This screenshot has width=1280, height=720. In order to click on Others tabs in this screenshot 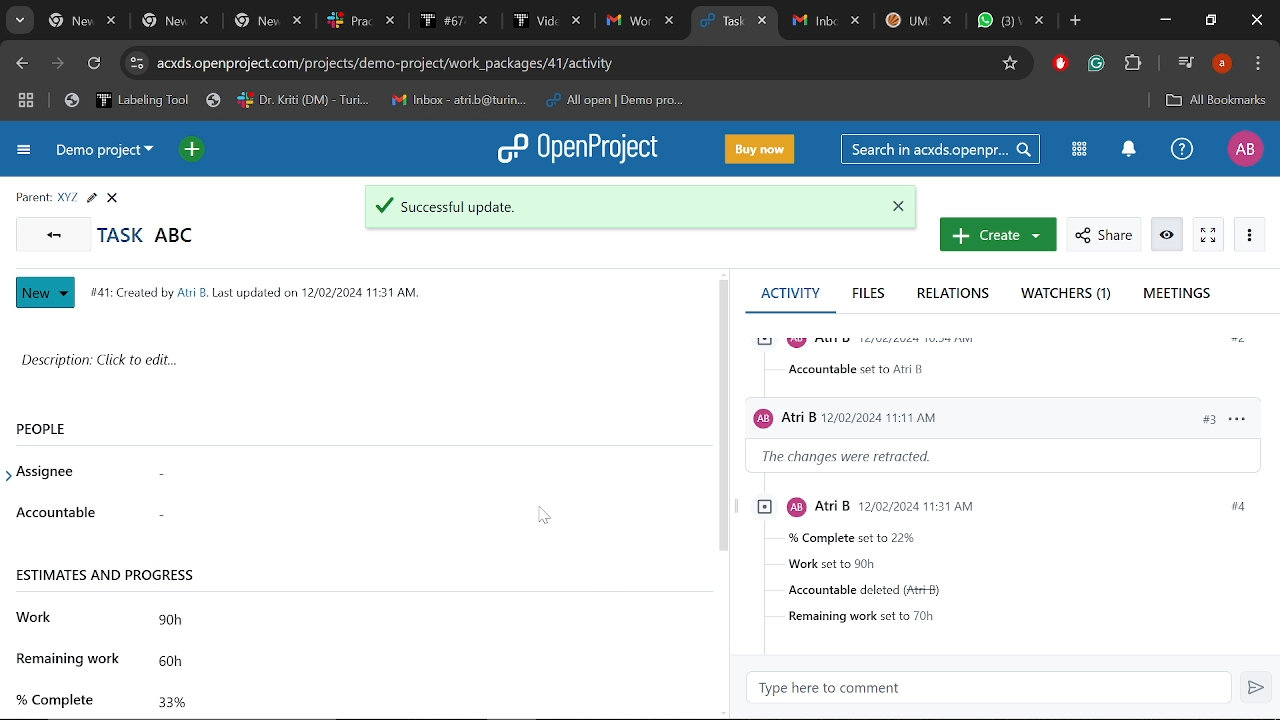, I will do `click(363, 21)`.